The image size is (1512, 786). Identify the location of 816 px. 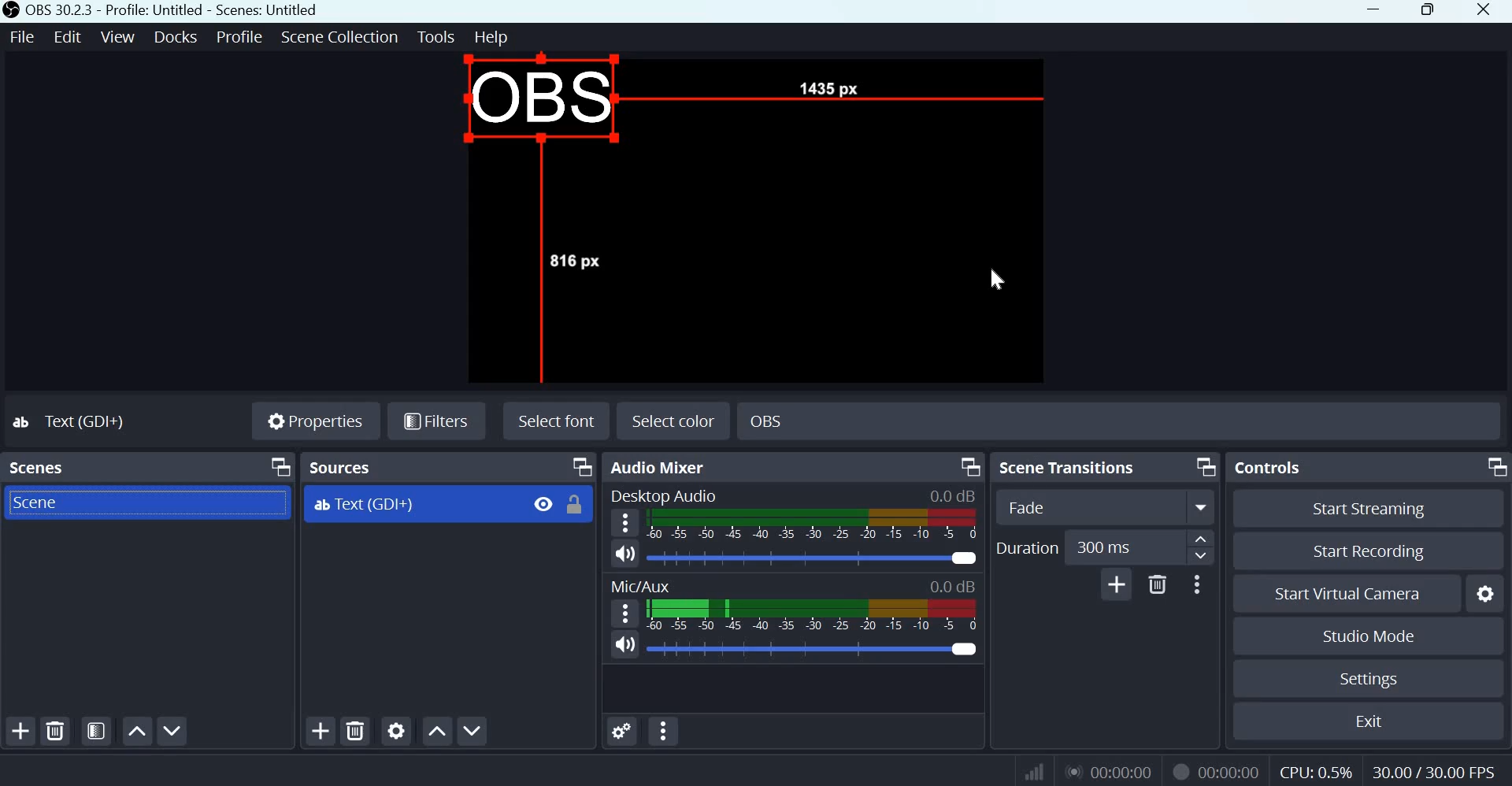
(577, 259).